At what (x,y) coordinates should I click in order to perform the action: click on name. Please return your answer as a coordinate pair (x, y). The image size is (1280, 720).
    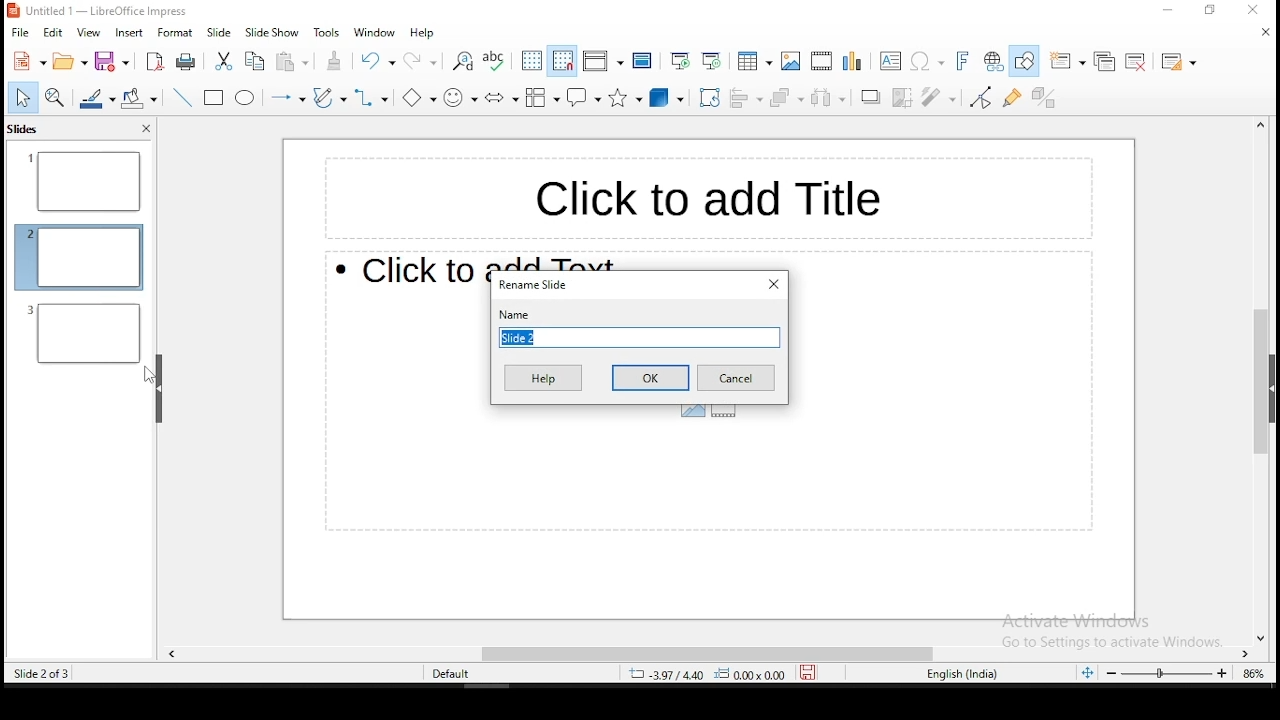
    Looking at the image, I should click on (515, 315).